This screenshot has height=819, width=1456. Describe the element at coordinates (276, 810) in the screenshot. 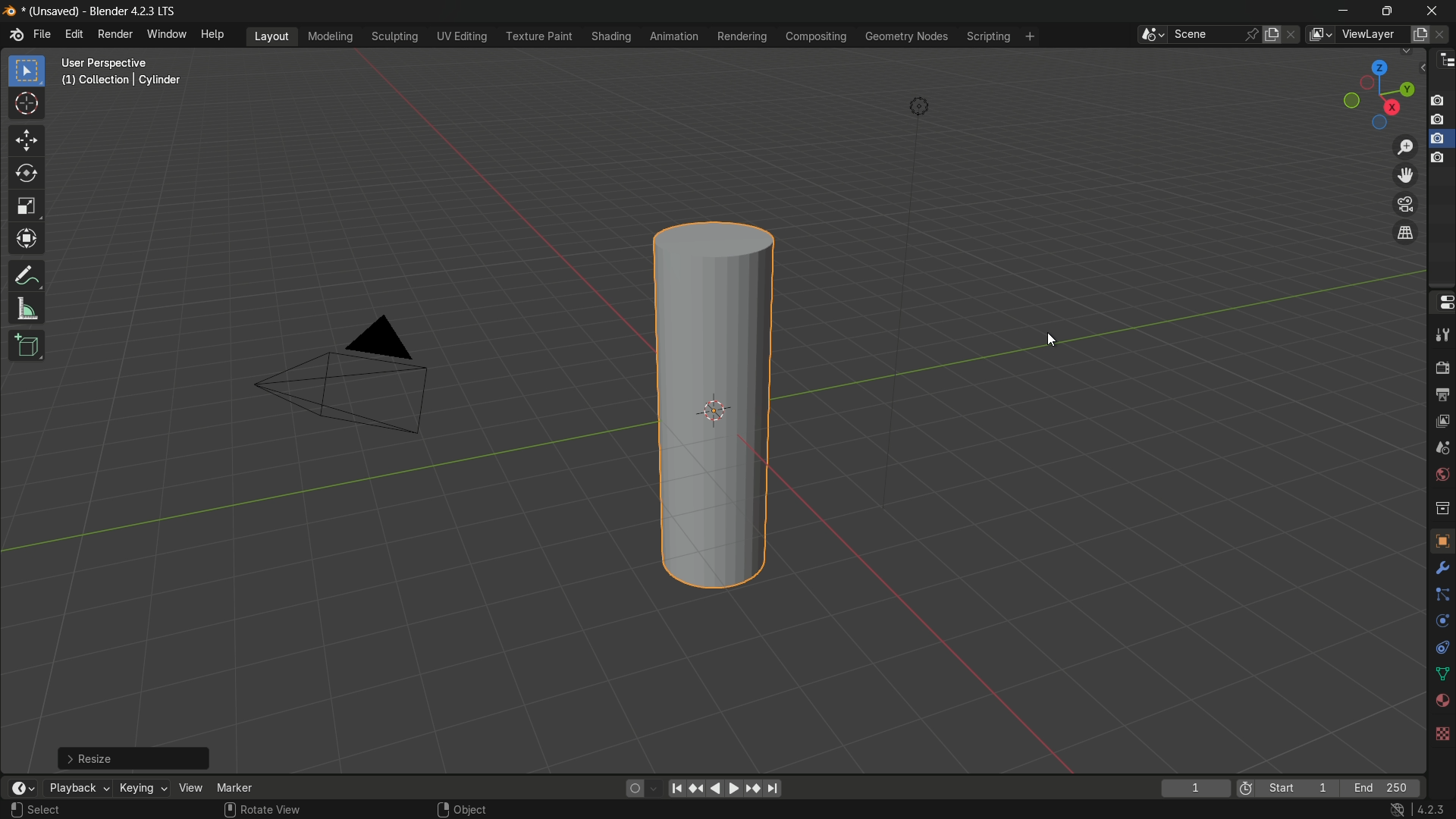

I see `Rotate view` at that location.